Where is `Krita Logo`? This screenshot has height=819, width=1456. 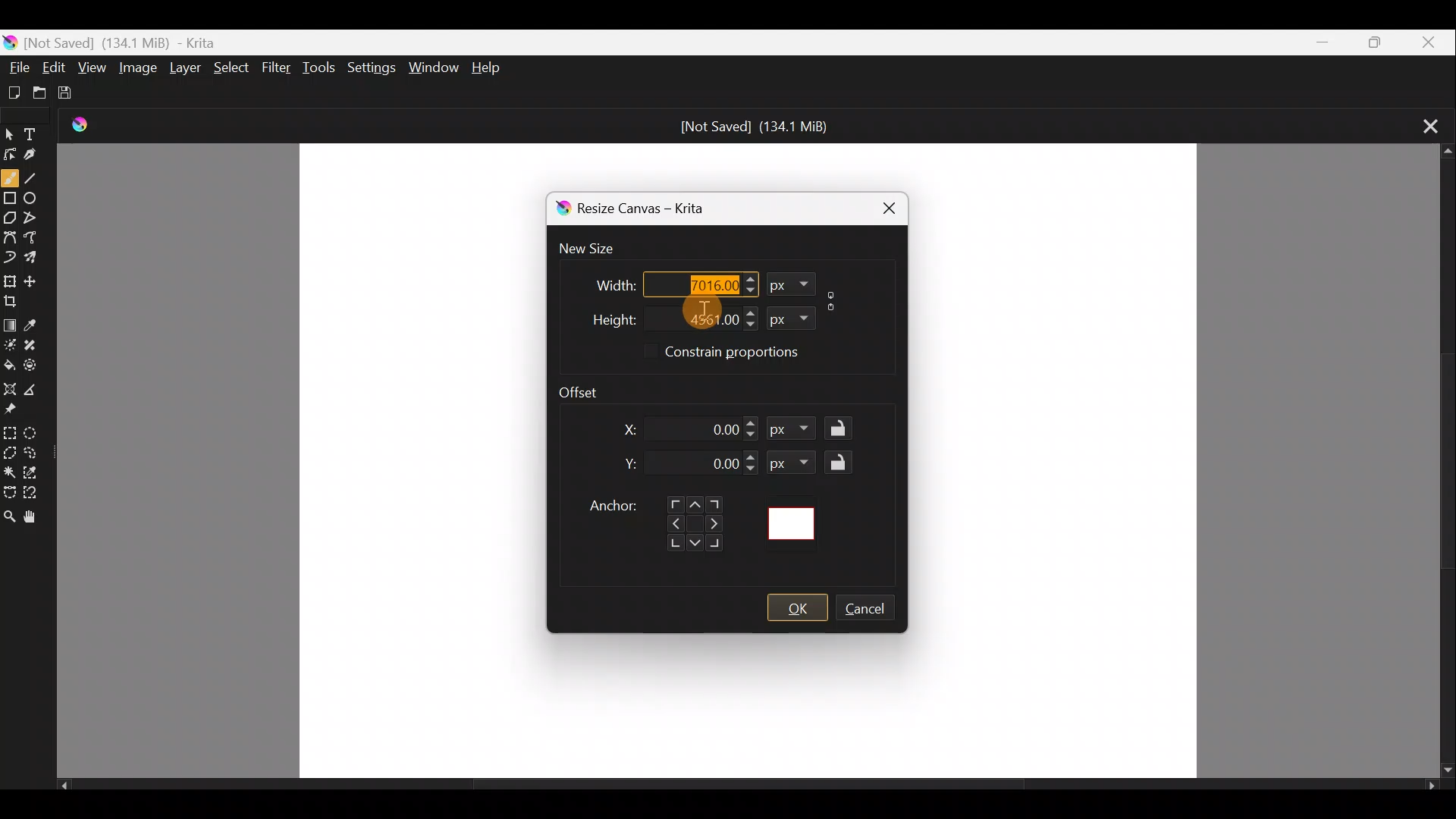
Krita Logo is located at coordinates (86, 124).